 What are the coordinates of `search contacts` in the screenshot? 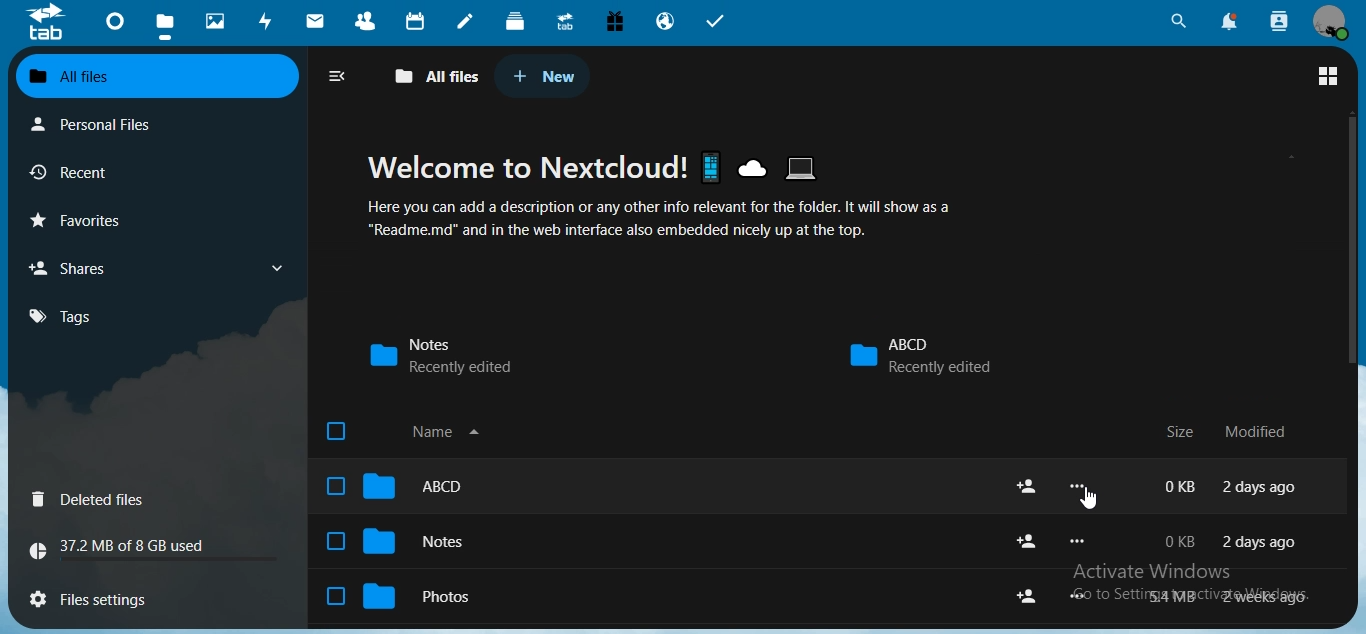 It's located at (1278, 23).